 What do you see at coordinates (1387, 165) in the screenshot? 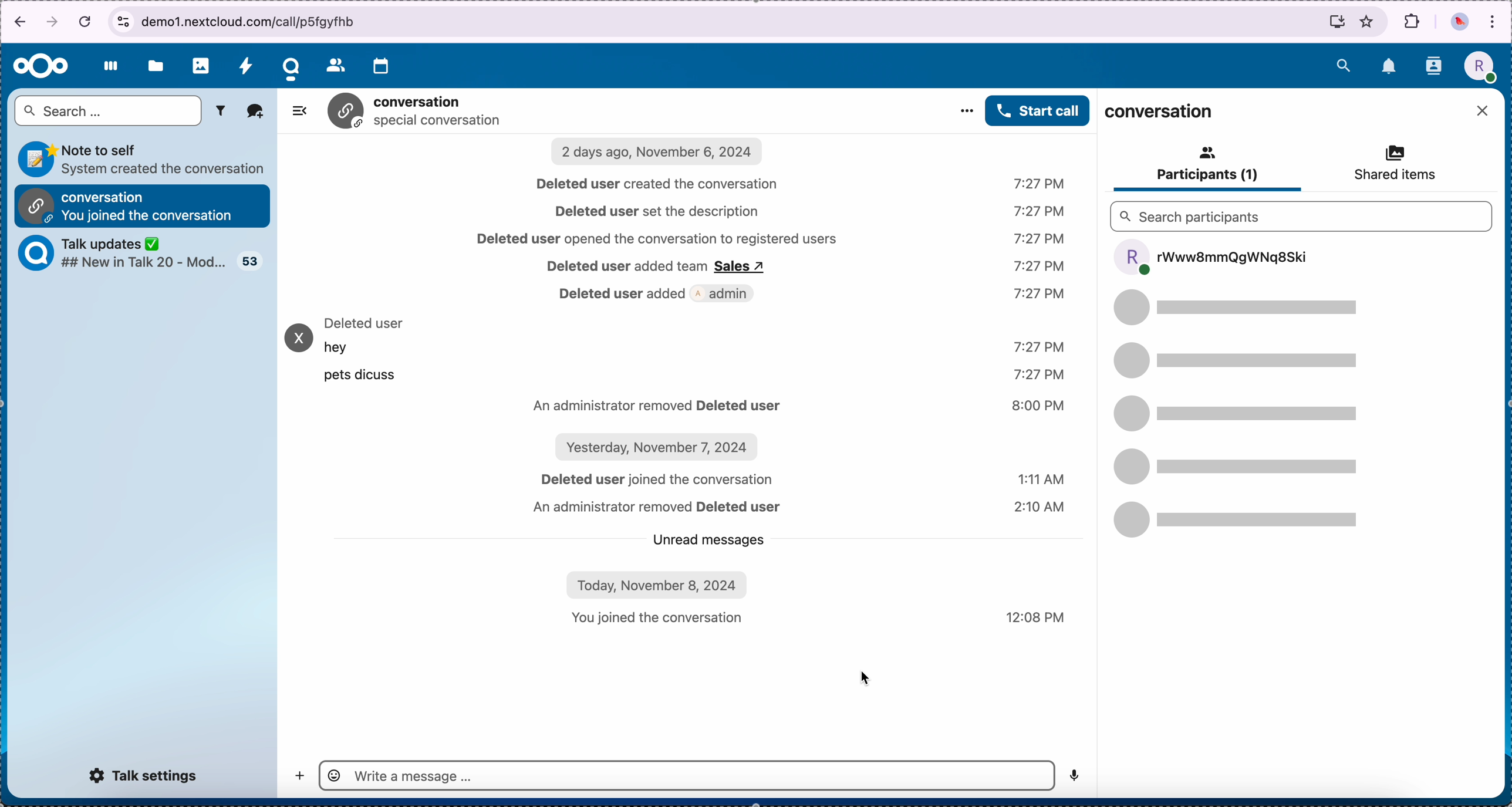
I see `shared items` at bounding box center [1387, 165].